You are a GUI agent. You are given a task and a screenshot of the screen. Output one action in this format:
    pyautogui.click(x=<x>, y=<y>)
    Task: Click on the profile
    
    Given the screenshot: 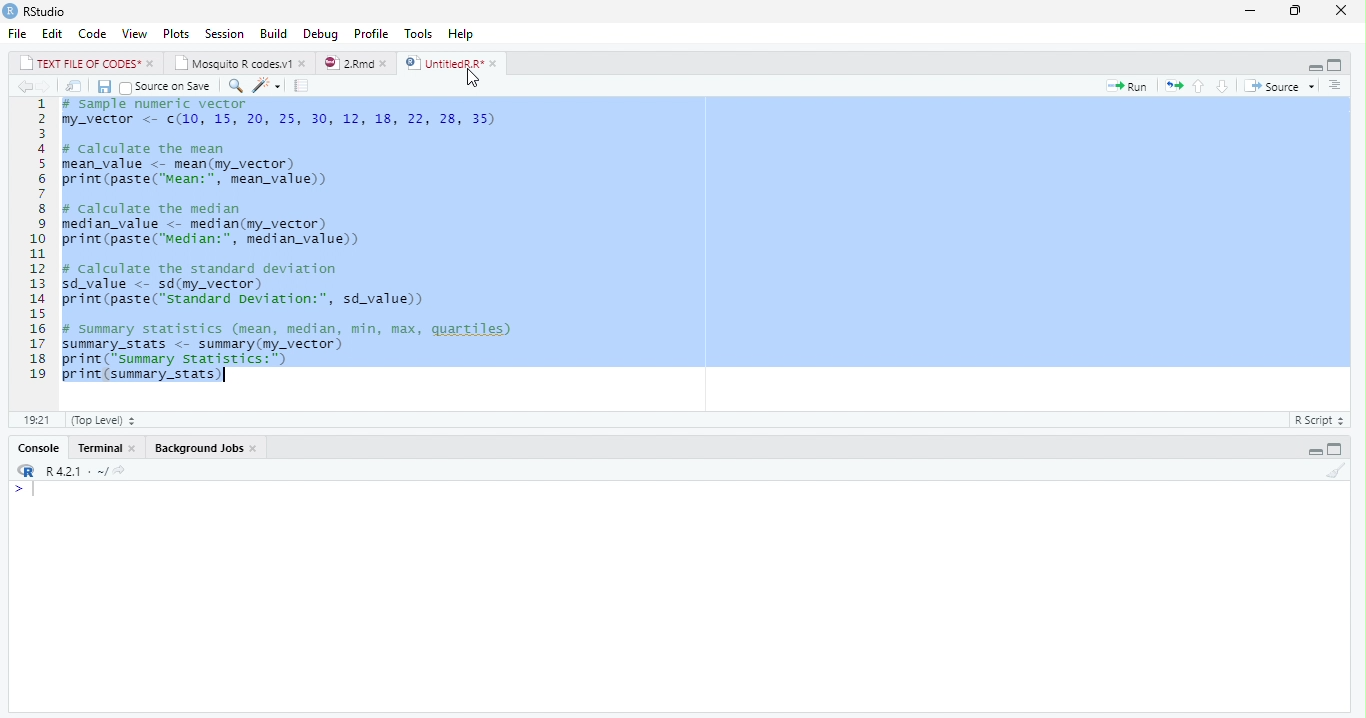 What is the action you would take?
    pyautogui.click(x=371, y=34)
    